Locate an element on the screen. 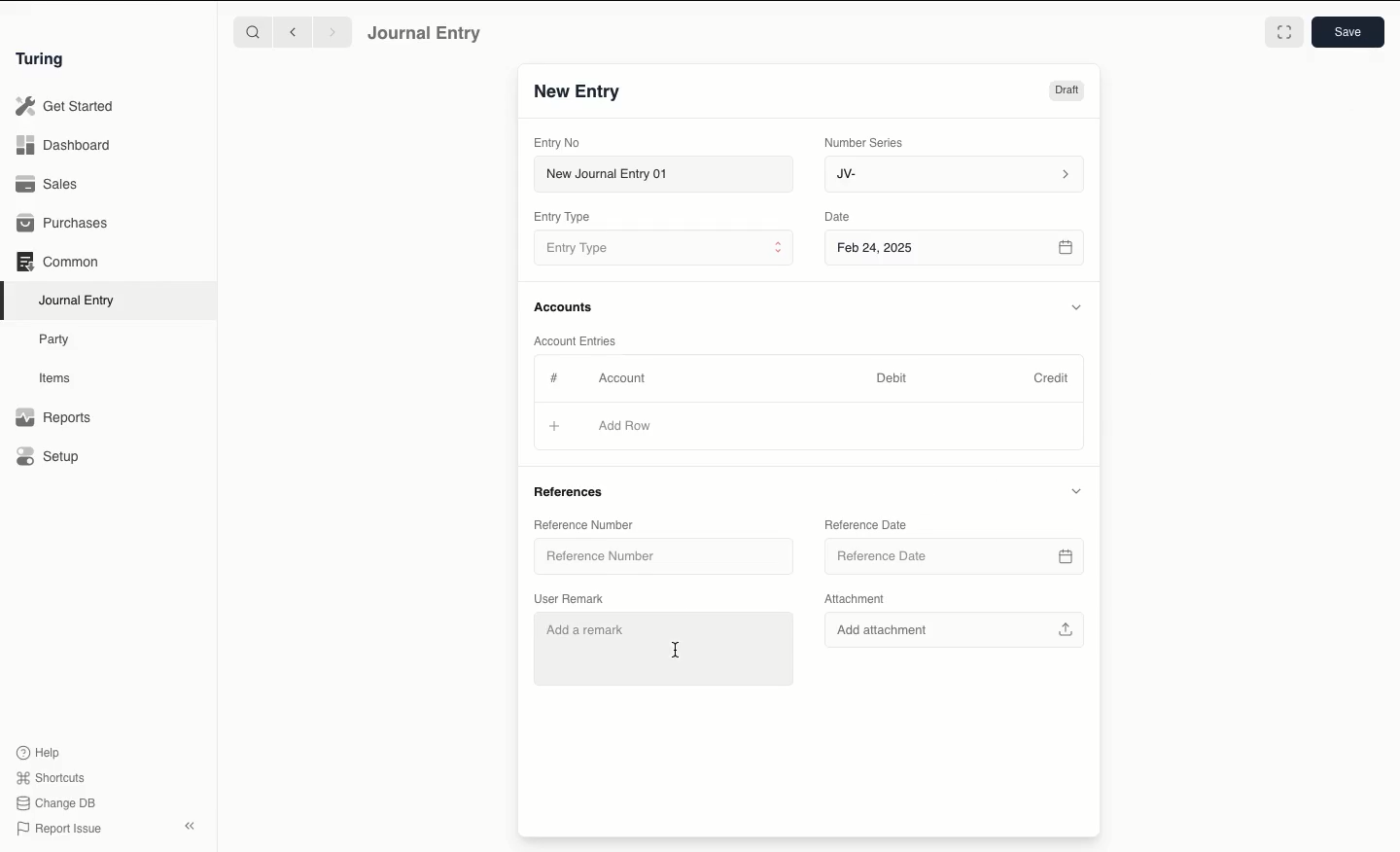 The image size is (1400, 852). Forward is located at coordinates (333, 31).